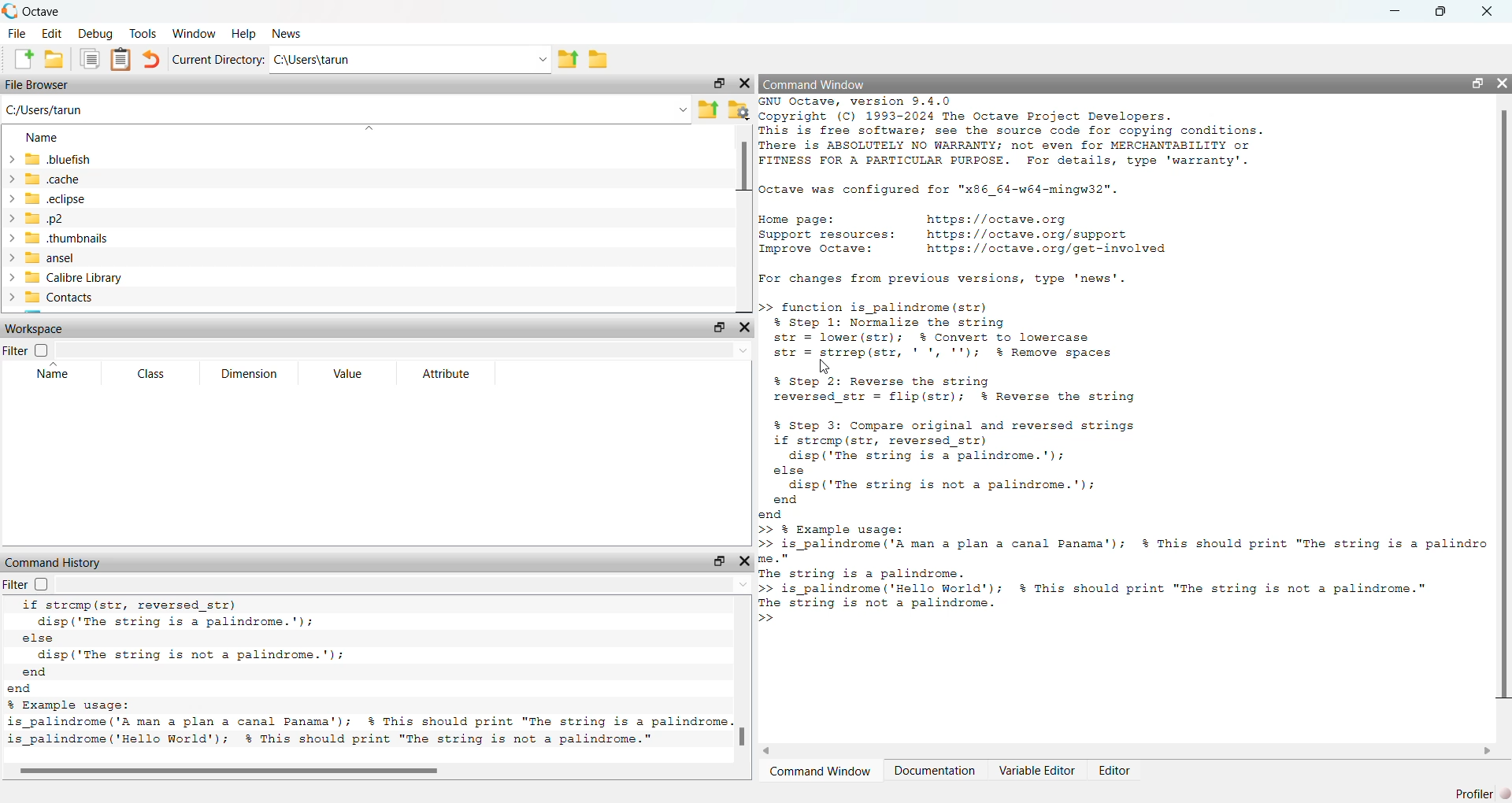  What do you see at coordinates (1503, 81) in the screenshot?
I see `hide widget` at bounding box center [1503, 81].